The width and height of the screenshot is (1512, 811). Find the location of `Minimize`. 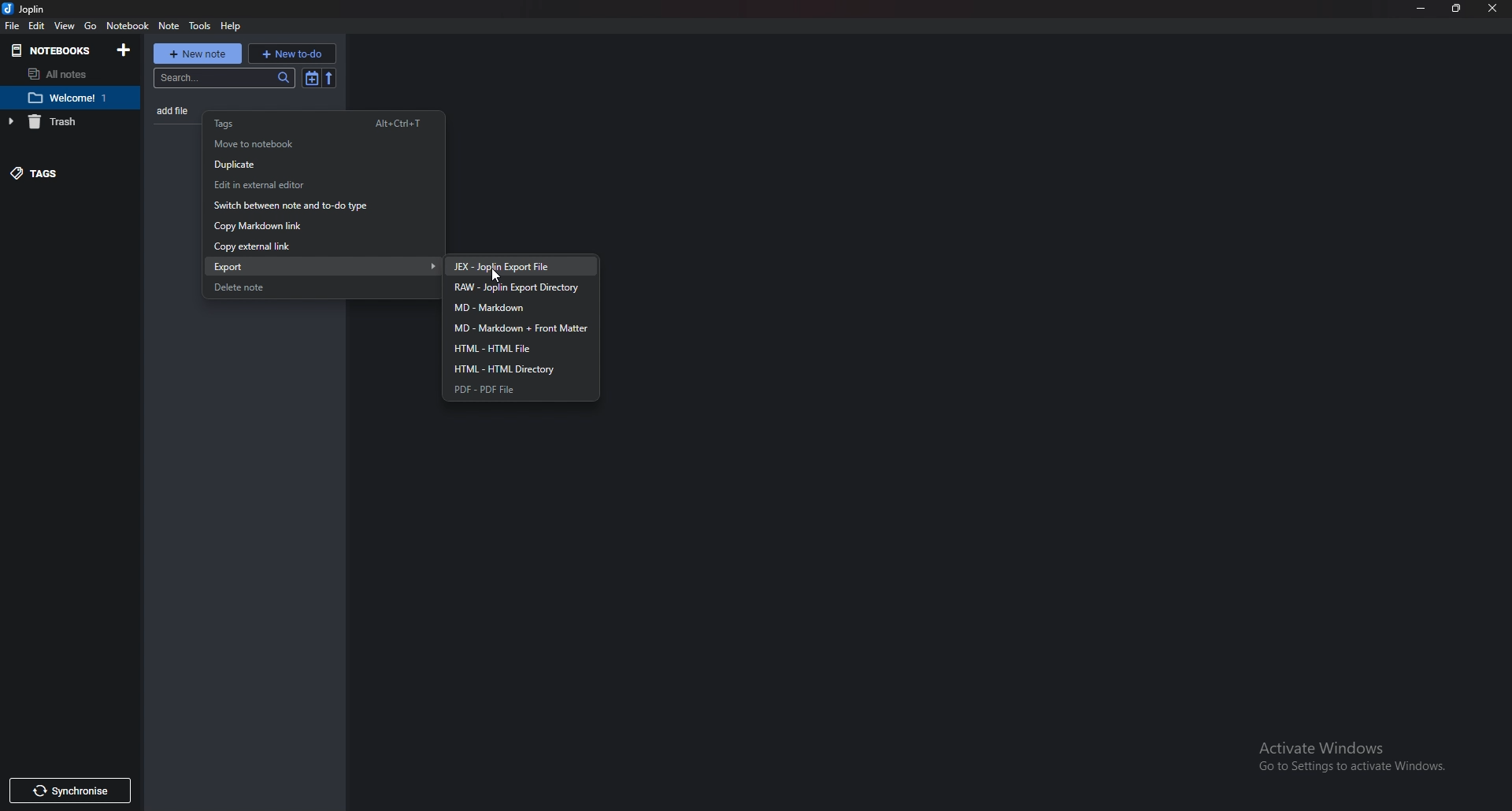

Minimize is located at coordinates (1422, 8).